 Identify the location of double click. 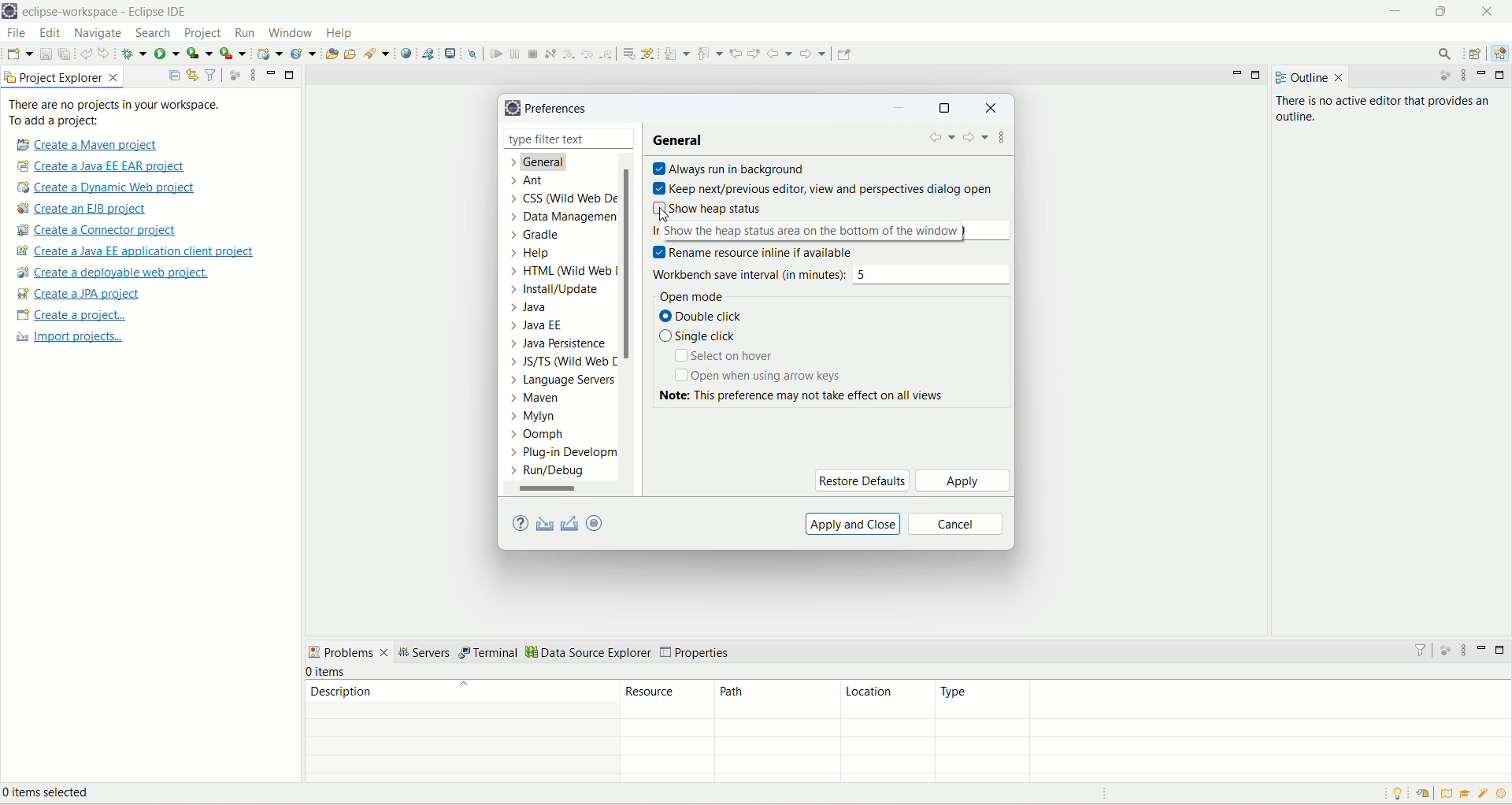
(708, 317).